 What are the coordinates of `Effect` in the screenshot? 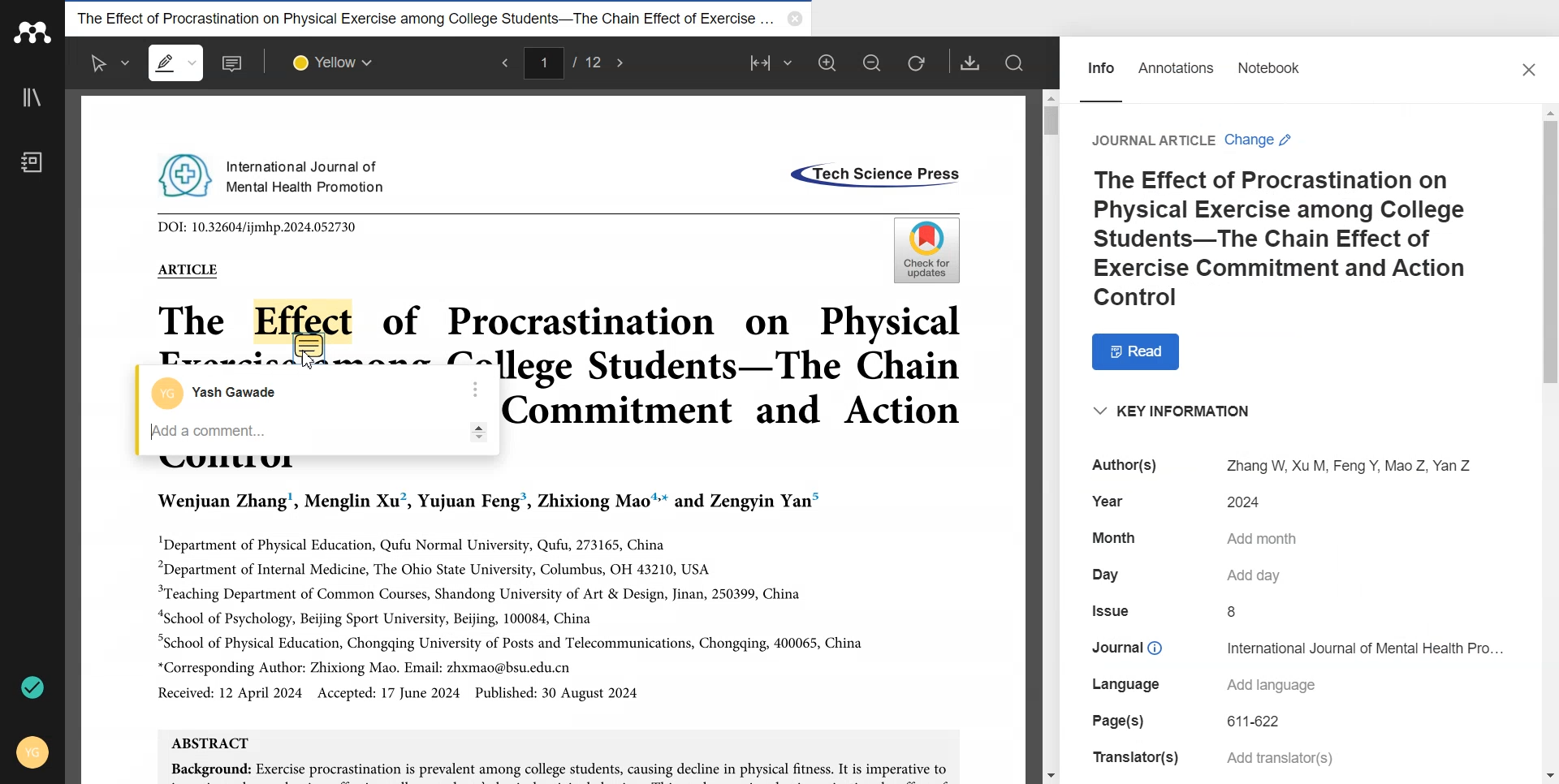 It's located at (301, 319).